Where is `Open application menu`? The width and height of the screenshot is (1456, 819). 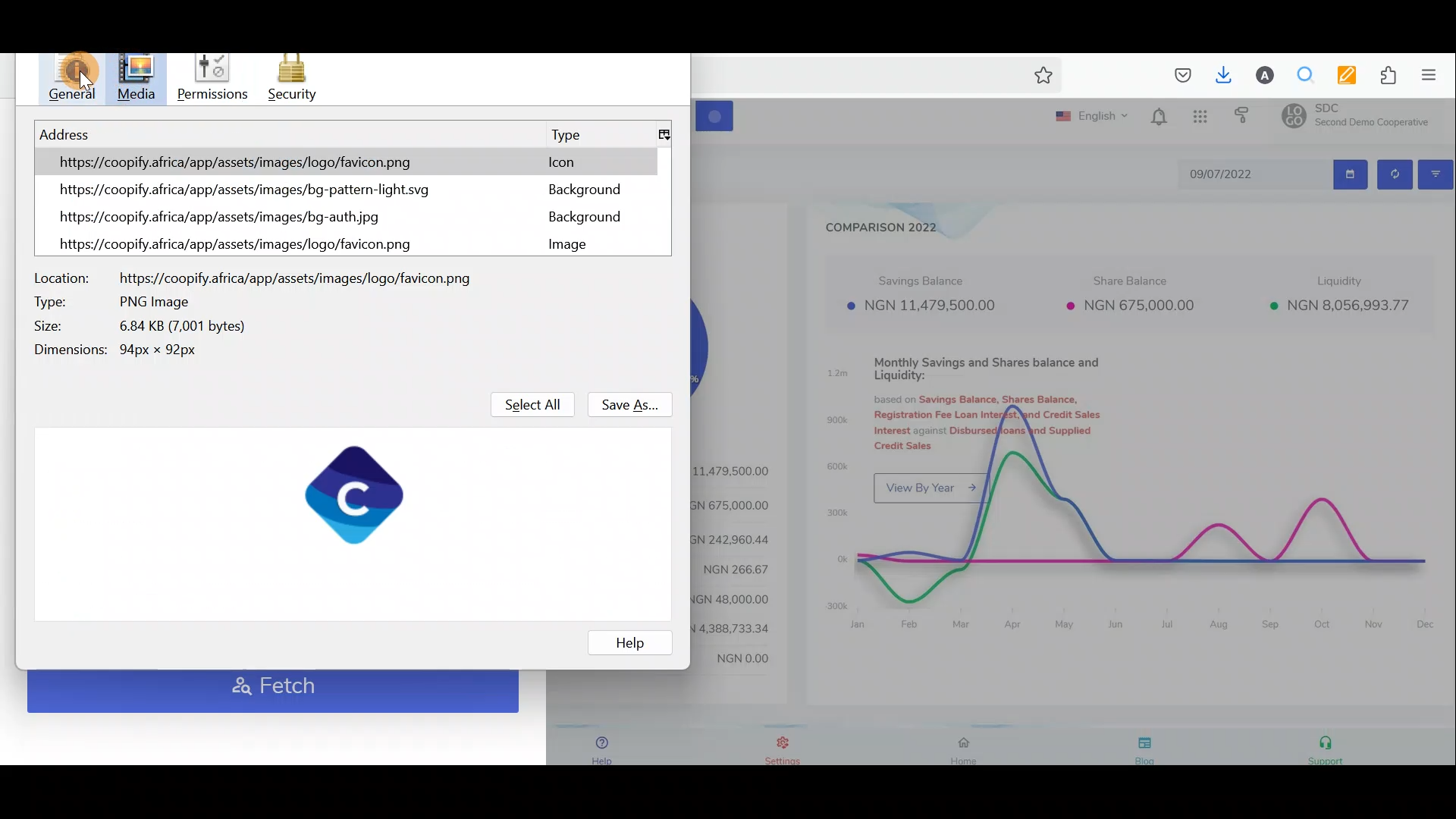 Open application menu is located at coordinates (1433, 76).